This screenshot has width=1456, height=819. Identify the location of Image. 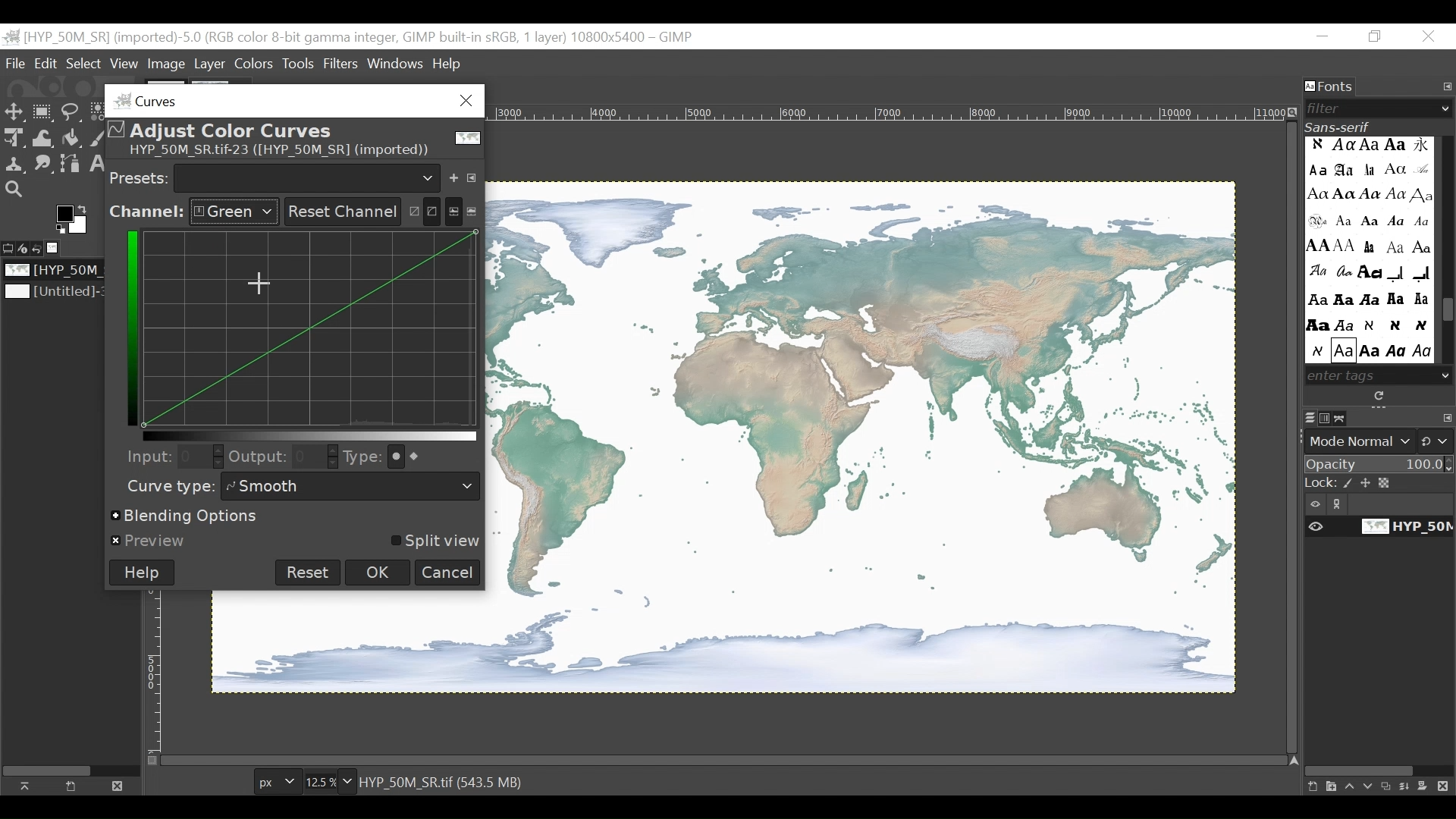
(862, 438).